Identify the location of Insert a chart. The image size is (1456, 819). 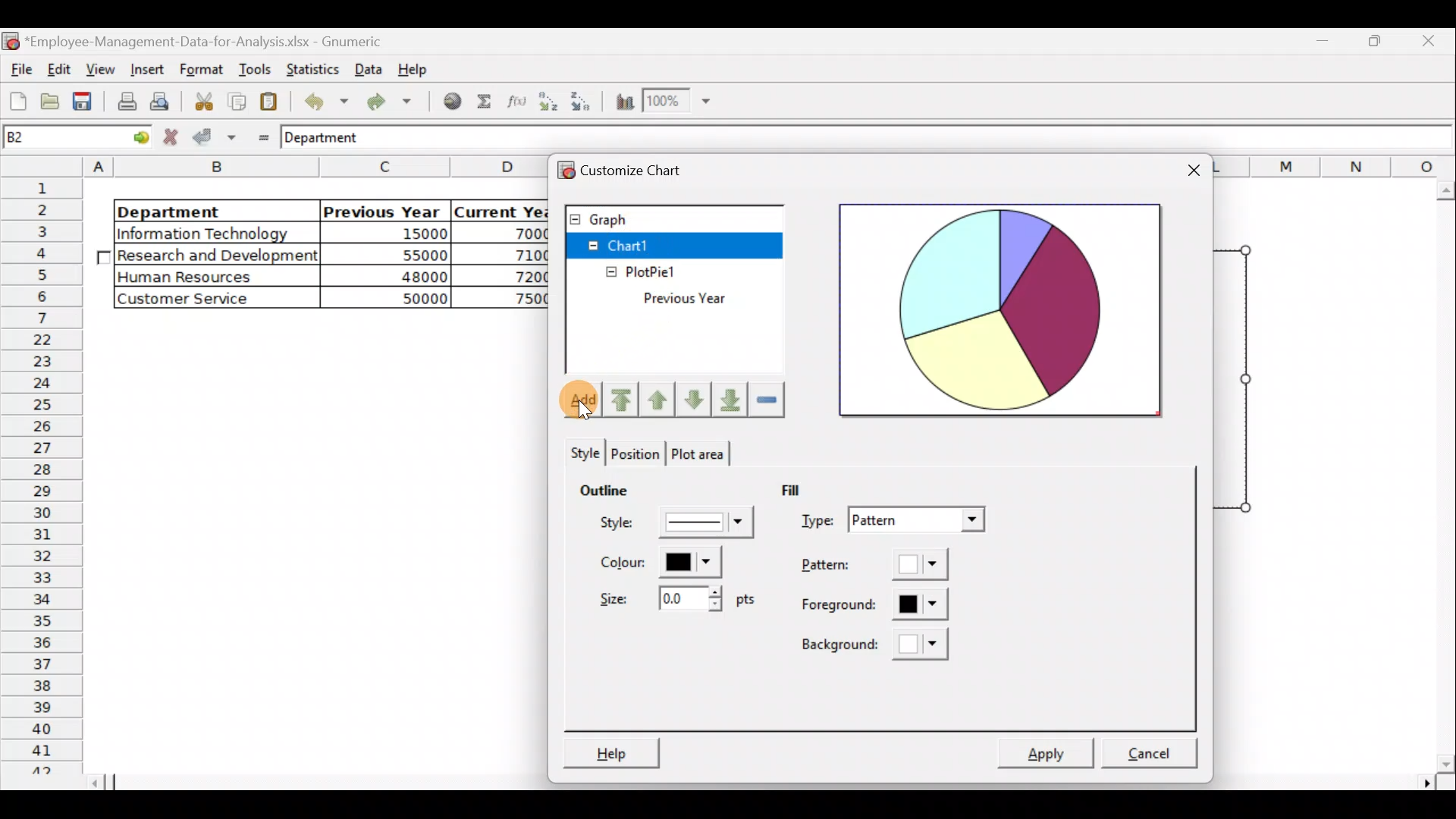
(623, 102).